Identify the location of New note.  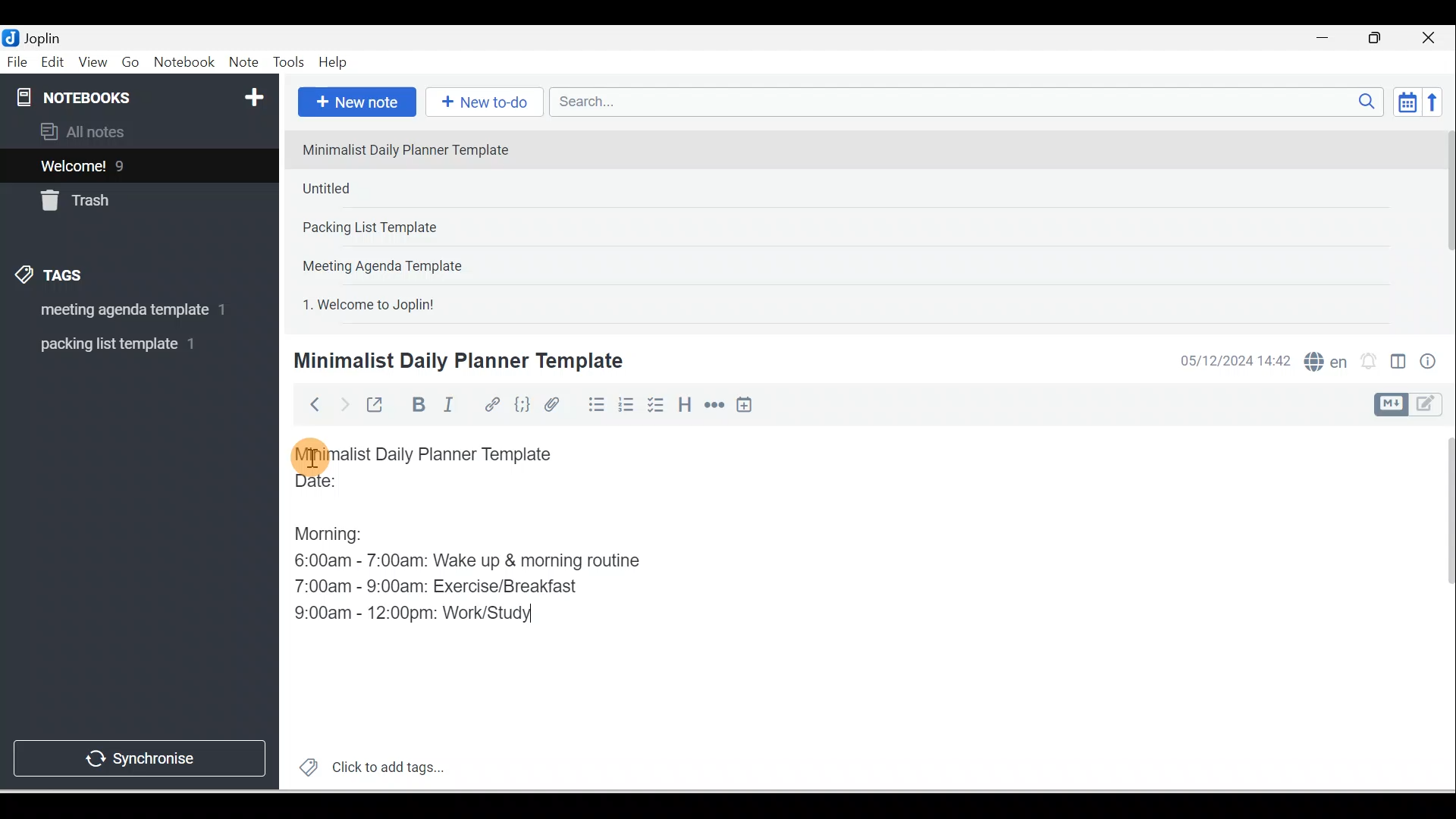
(354, 103).